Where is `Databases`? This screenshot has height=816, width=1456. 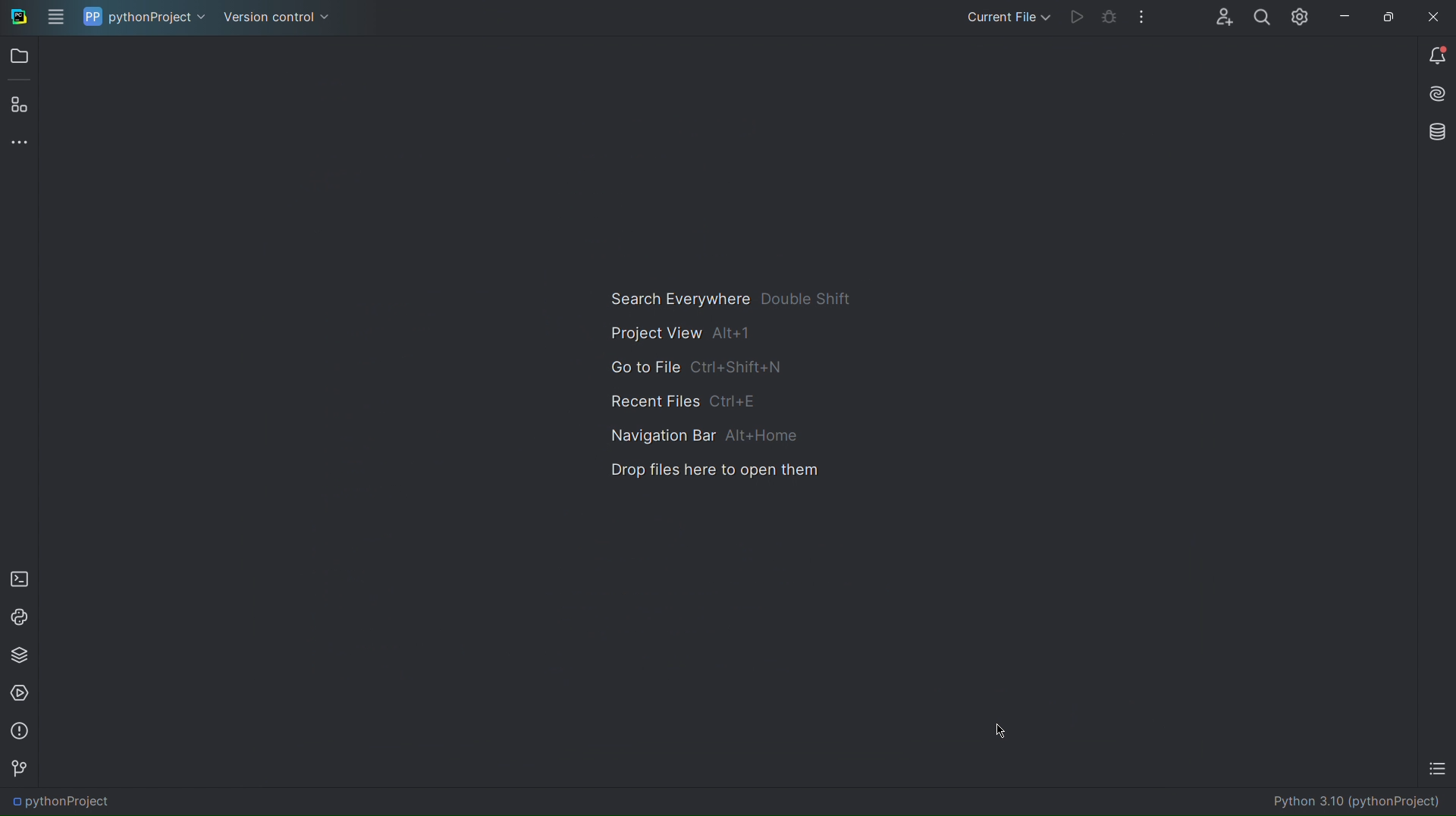 Databases is located at coordinates (1434, 132).